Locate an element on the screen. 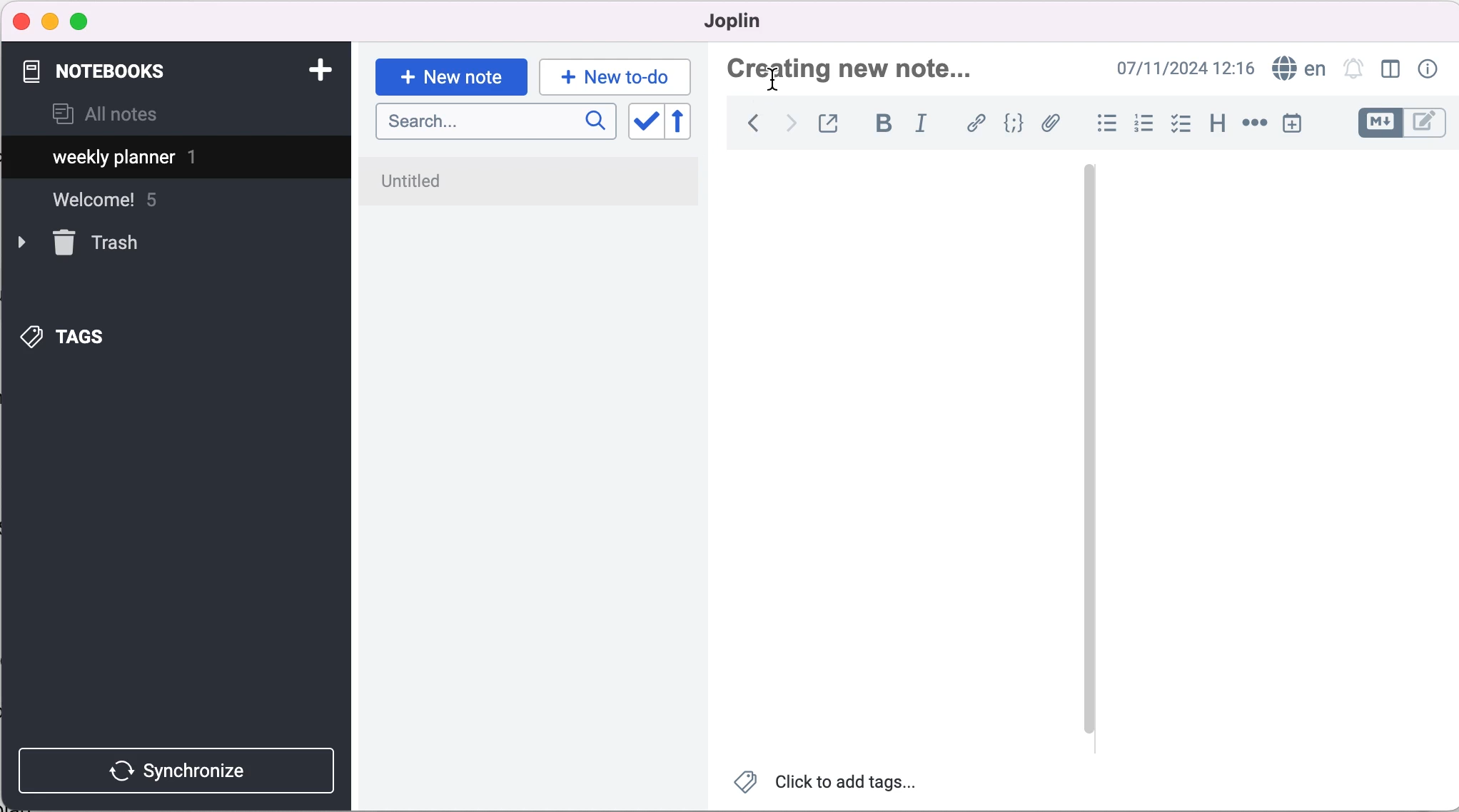 This screenshot has width=1459, height=812. welcome! 5 is located at coordinates (119, 205).